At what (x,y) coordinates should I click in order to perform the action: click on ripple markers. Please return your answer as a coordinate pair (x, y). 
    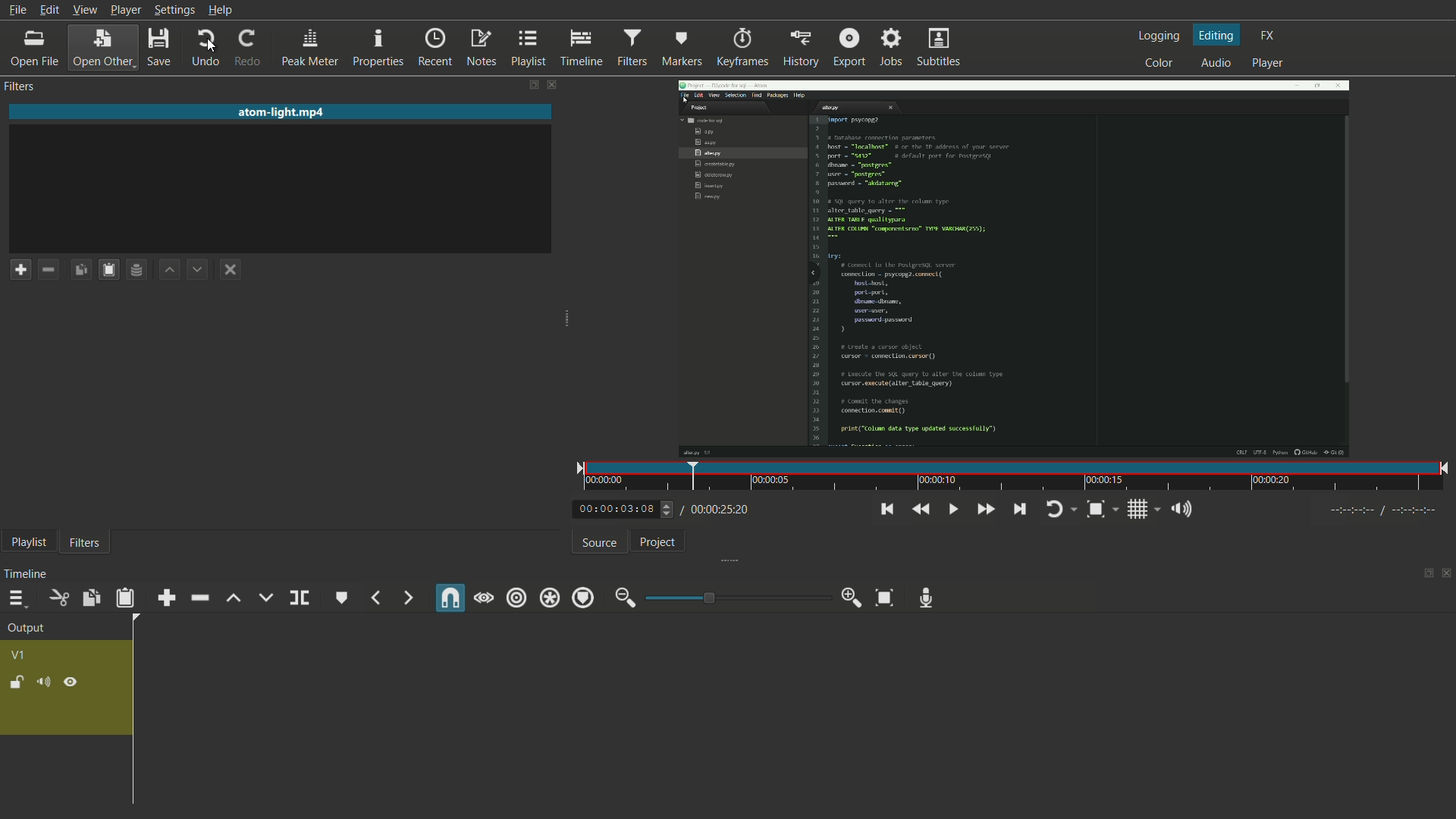
    Looking at the image, I should click on (581, 598).